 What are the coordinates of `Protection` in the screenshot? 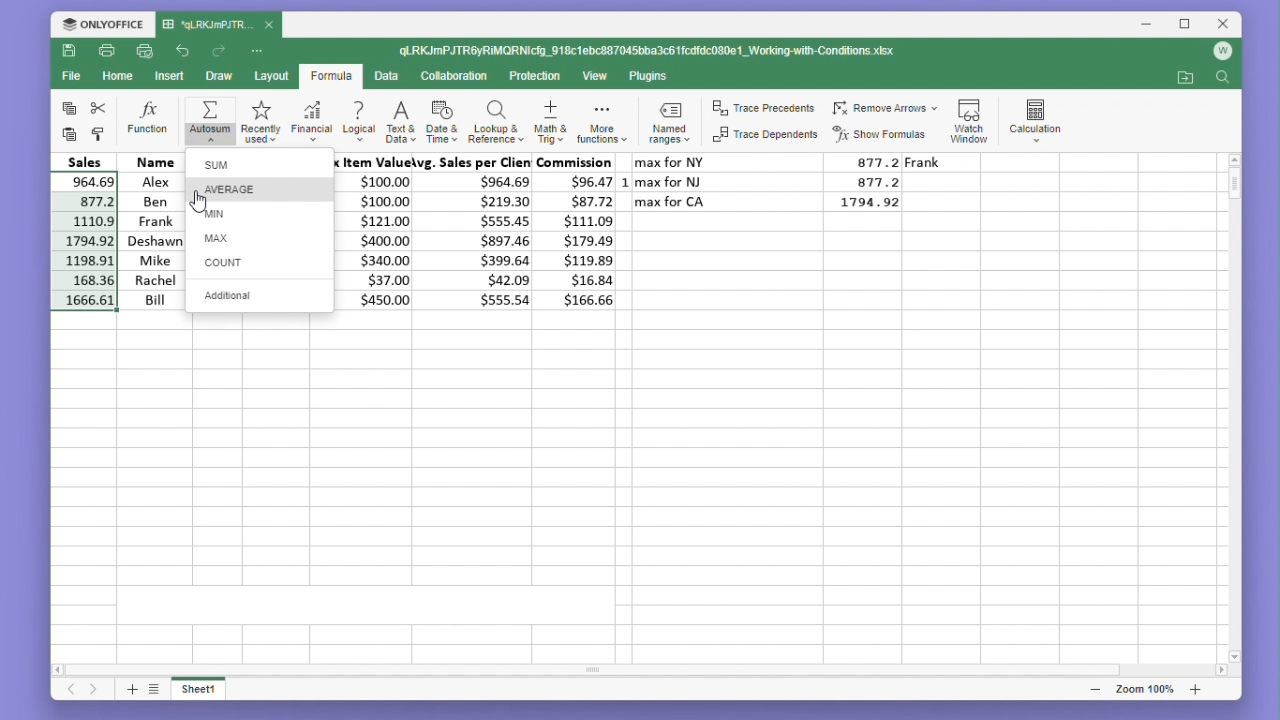 It's located at (533, 77).